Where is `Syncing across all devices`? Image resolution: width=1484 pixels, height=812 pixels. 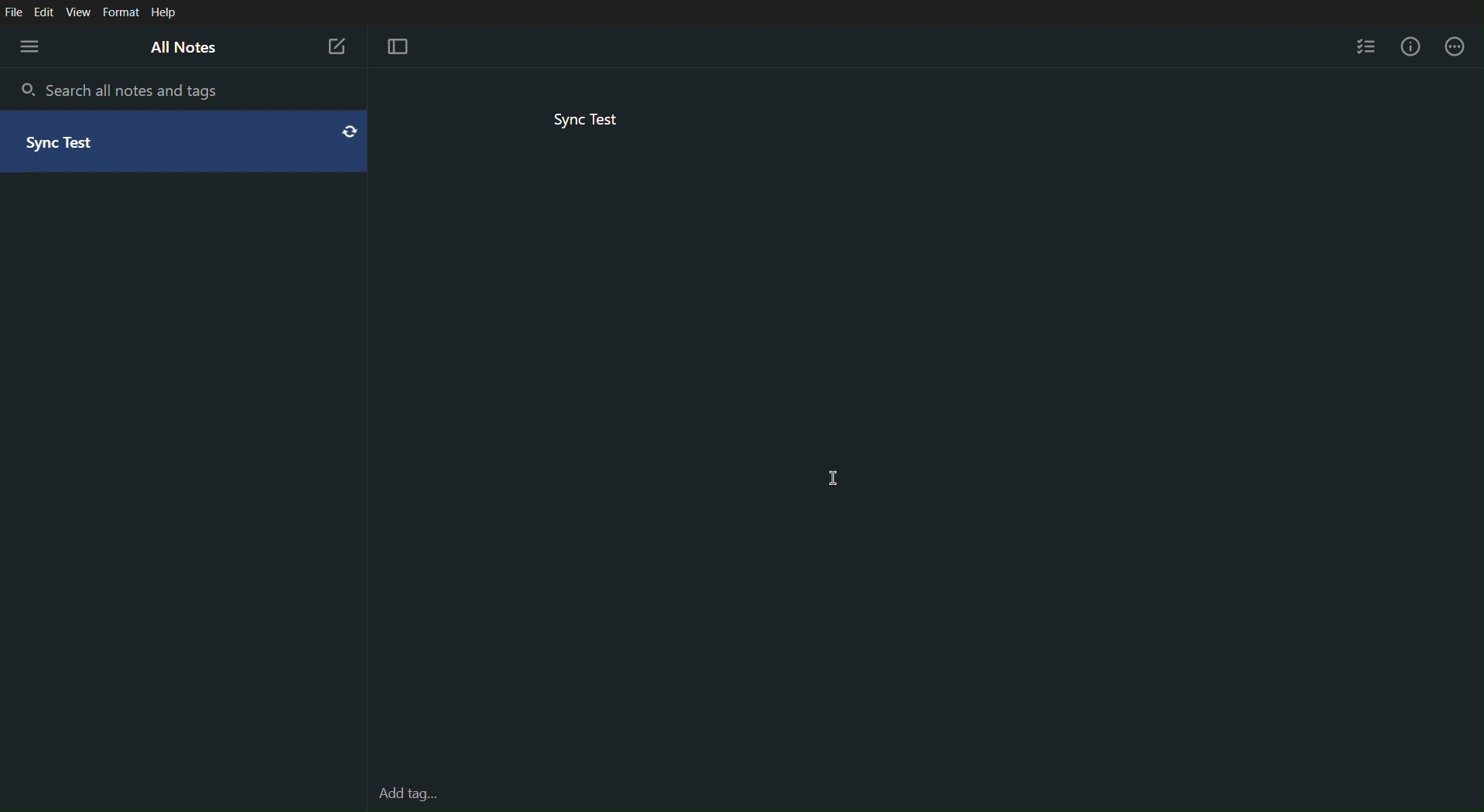
Syncing across all devices is located at coordinates (347, 131).